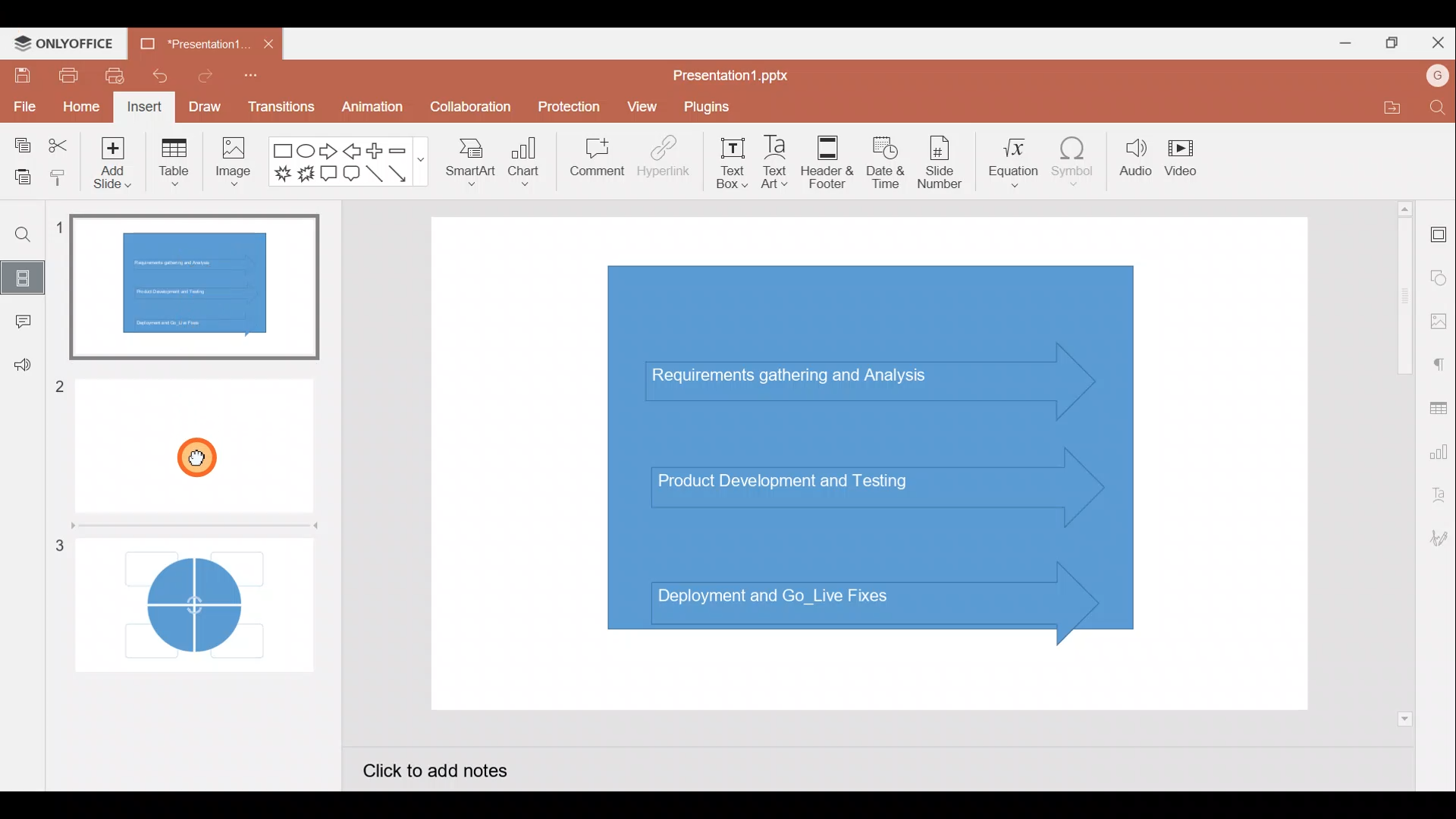 This screenshot has height=819, width=1456. I want to click on Rectangle, so click(279, 151).